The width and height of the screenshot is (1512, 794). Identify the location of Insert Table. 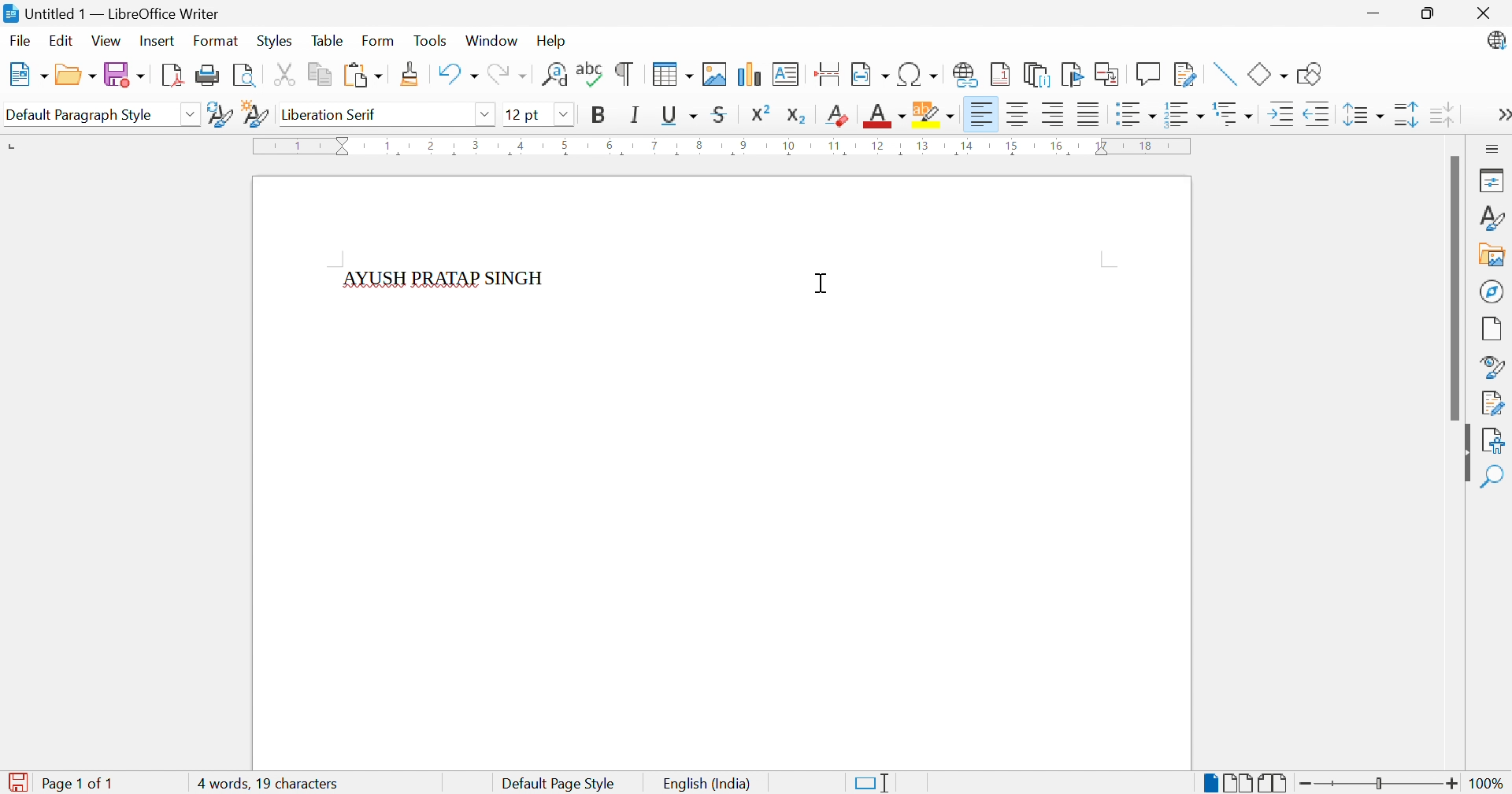
(673, 76).